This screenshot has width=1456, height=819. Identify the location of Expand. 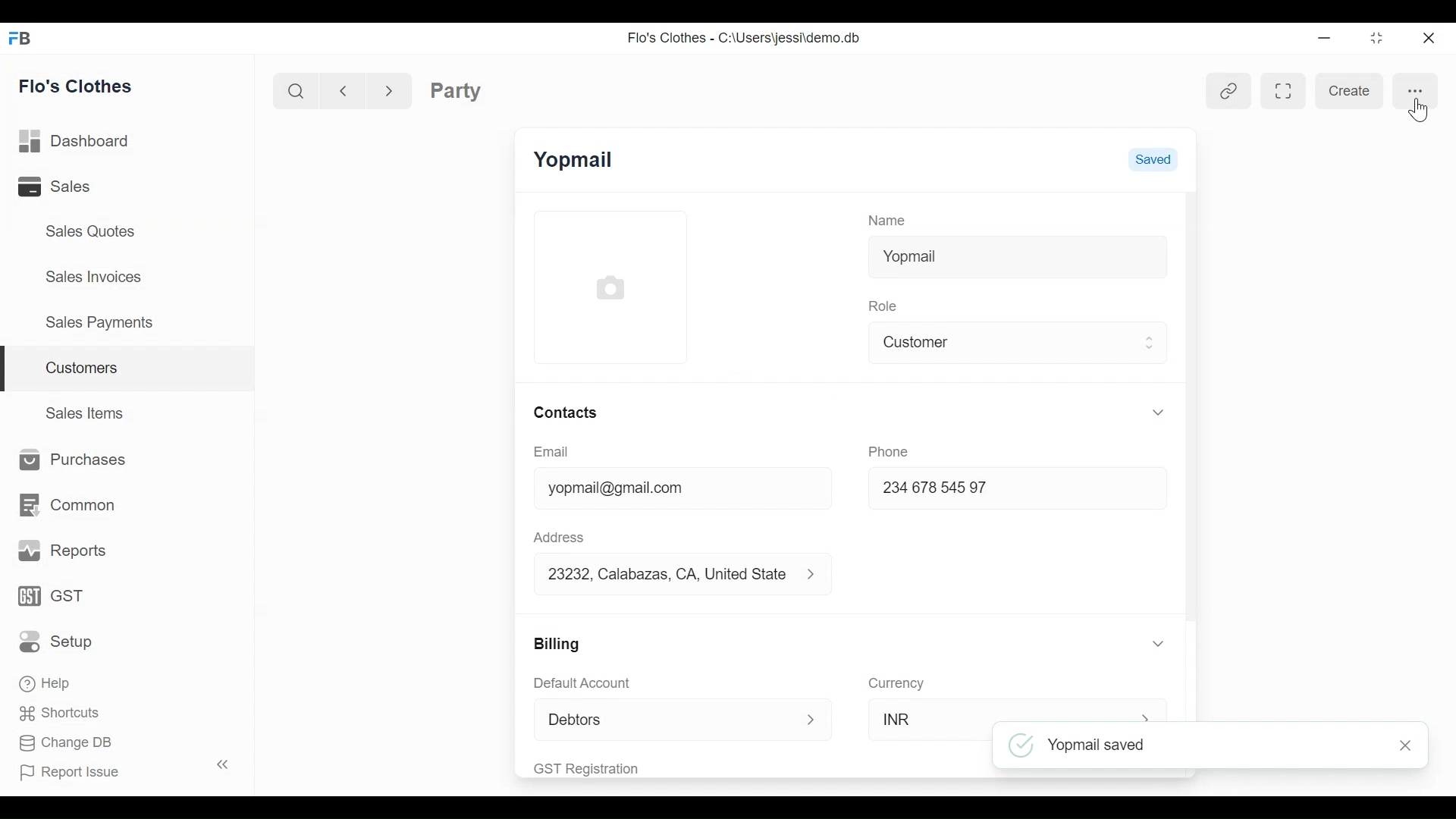
(1149, 344).